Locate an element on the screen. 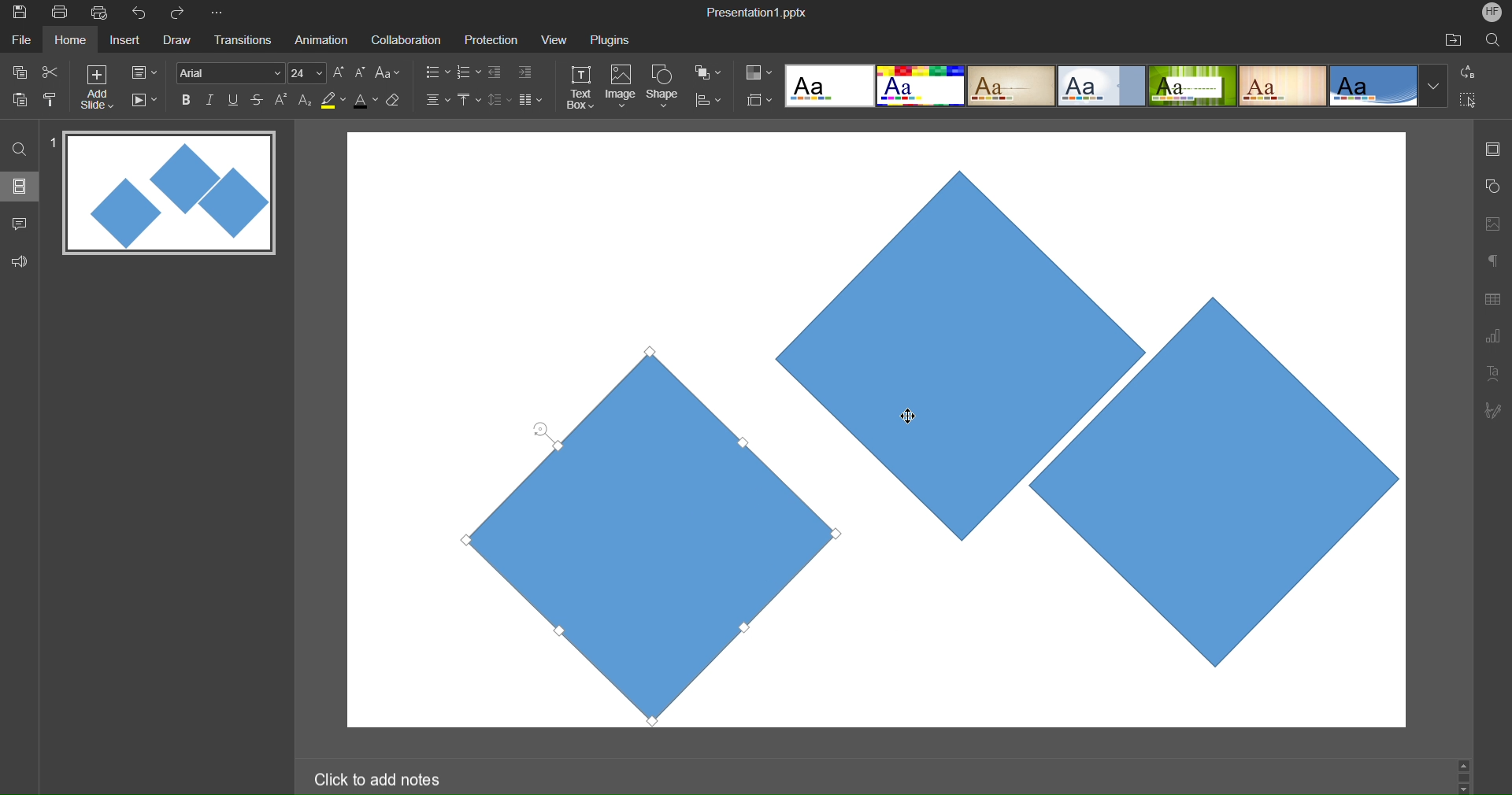  Decrease indent is located at coordinates (498, 74).